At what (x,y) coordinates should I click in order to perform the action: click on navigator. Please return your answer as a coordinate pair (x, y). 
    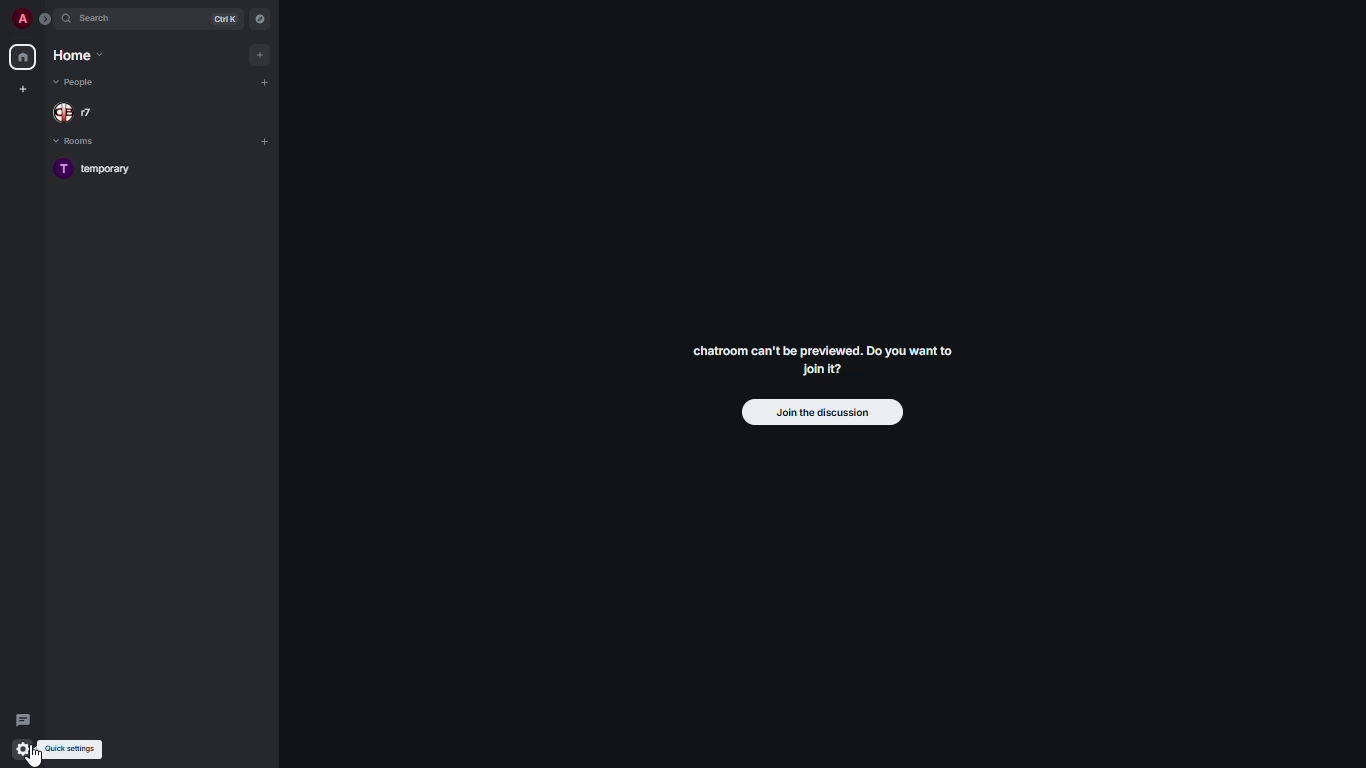
    Looking at the image, I should click on (259, 18).